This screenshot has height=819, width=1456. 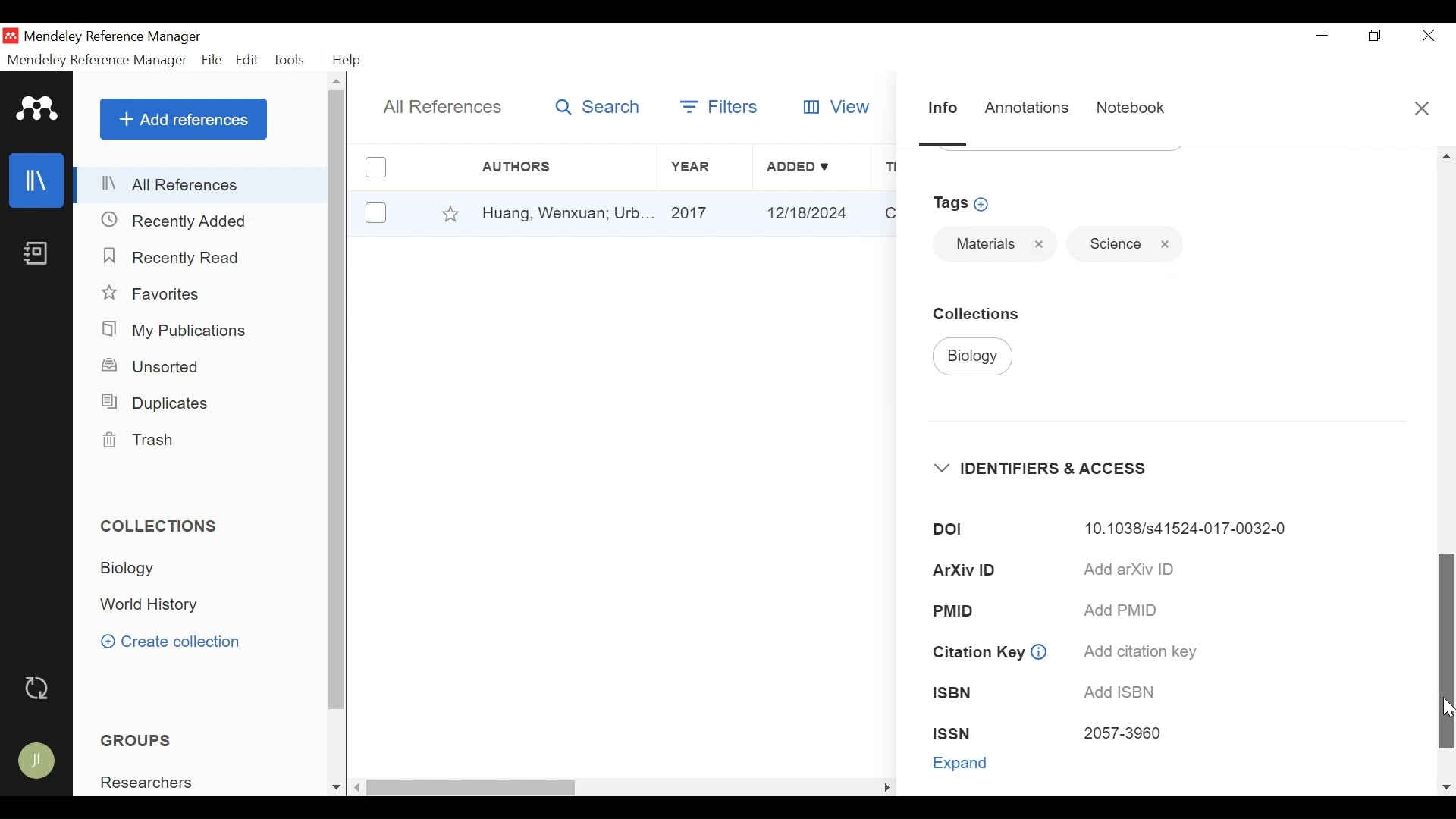 What do you see at coordinates (39, 689) in the screenshot?
I see `Sync` at bounding box center [39, 689].